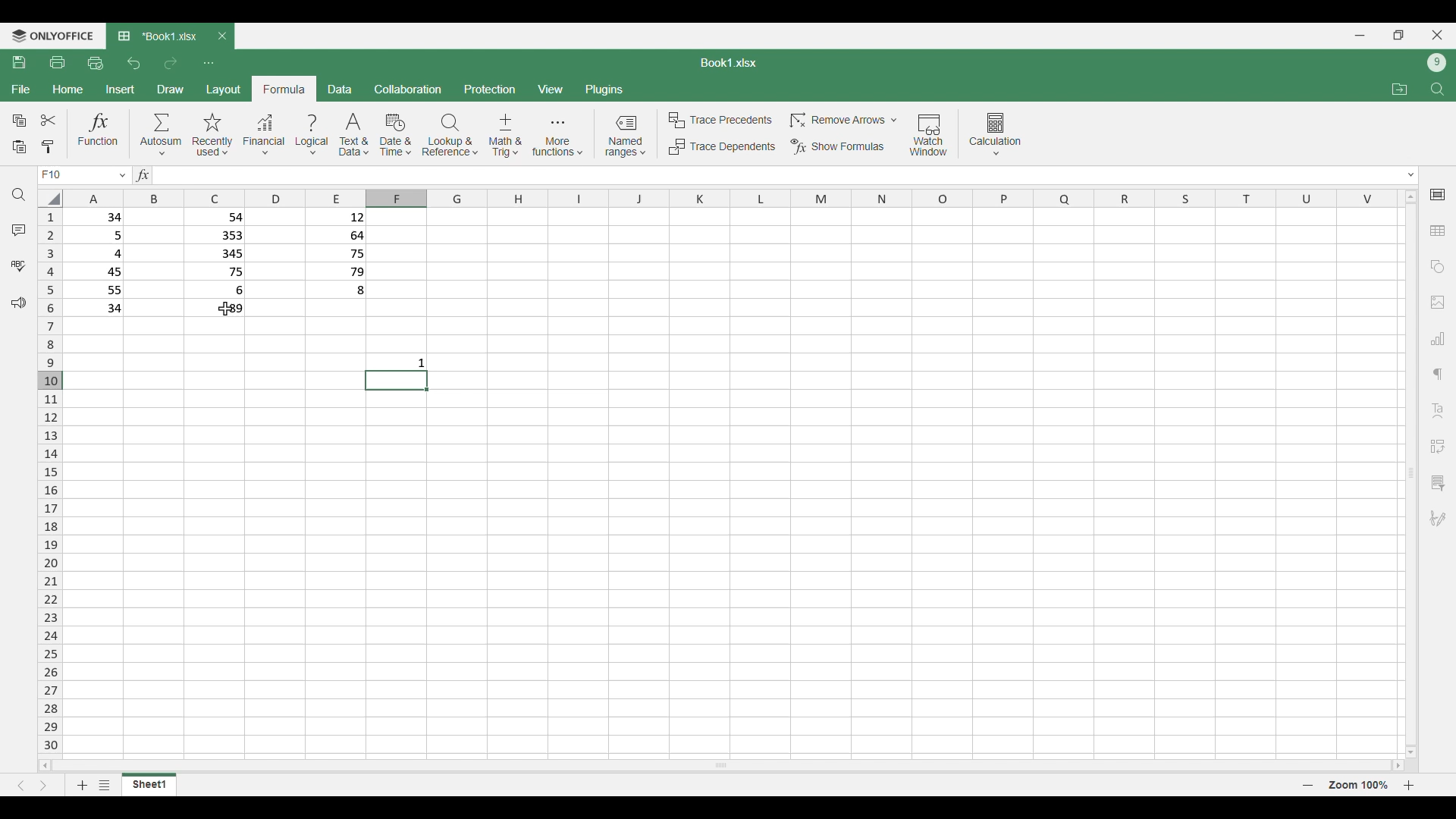 This screenshot has height=819, width=1456. Describe the element at coordinates (19, 231) in the screenshot. I see `Comments` at that location.